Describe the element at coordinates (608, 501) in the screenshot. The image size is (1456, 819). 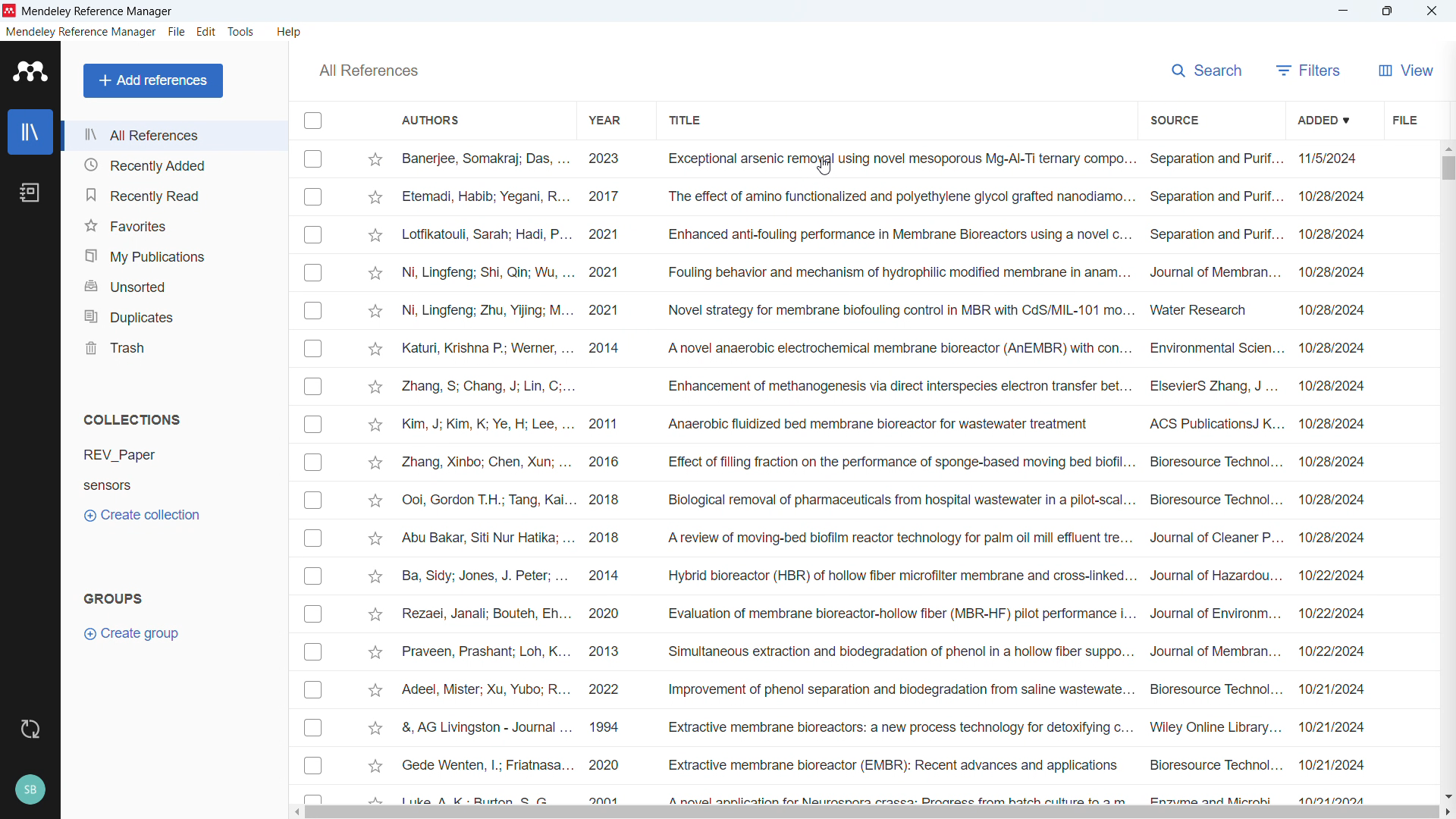
I see `2018` at that location.